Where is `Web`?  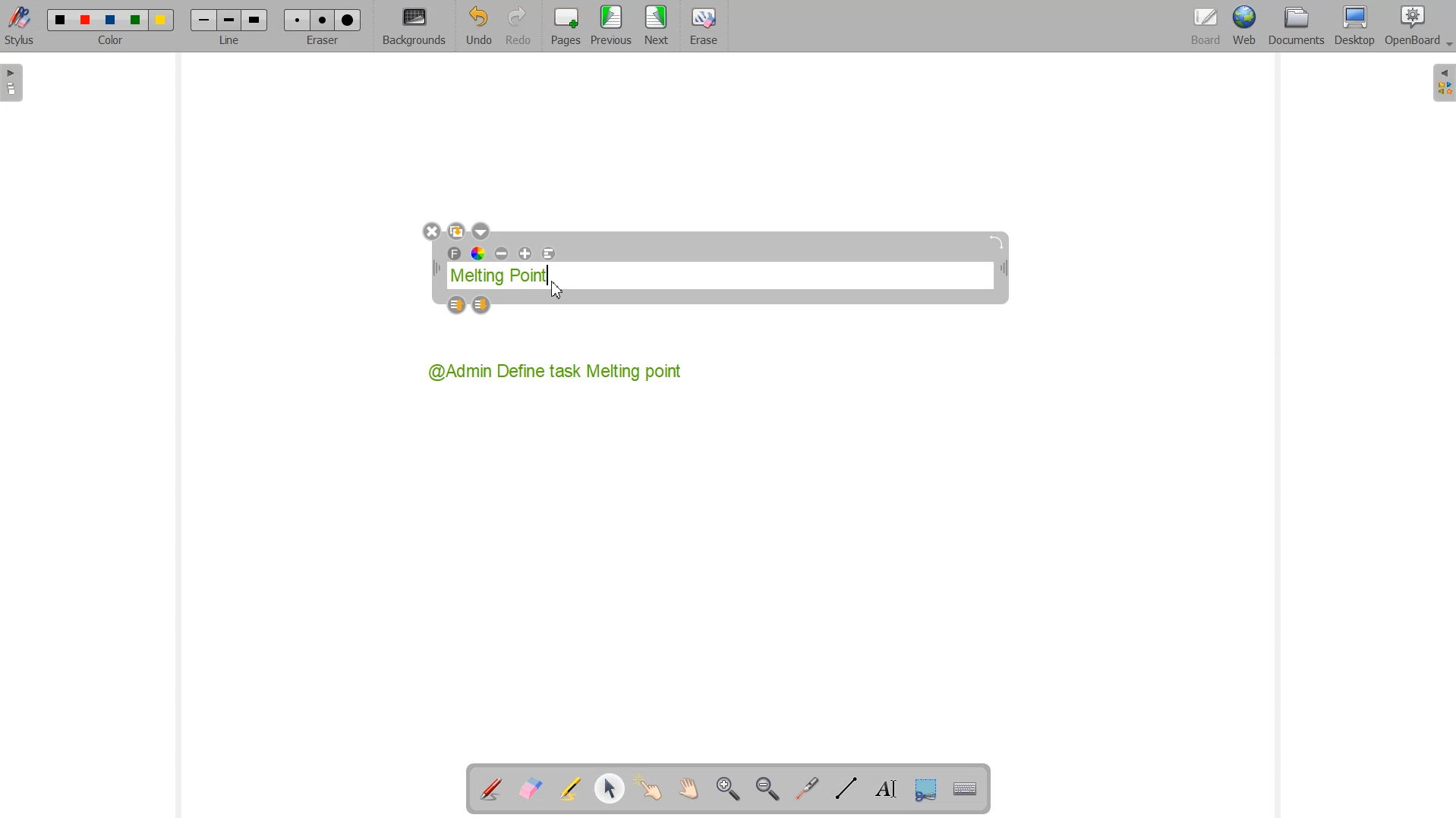
Web is located at coordinates (1243, 27).